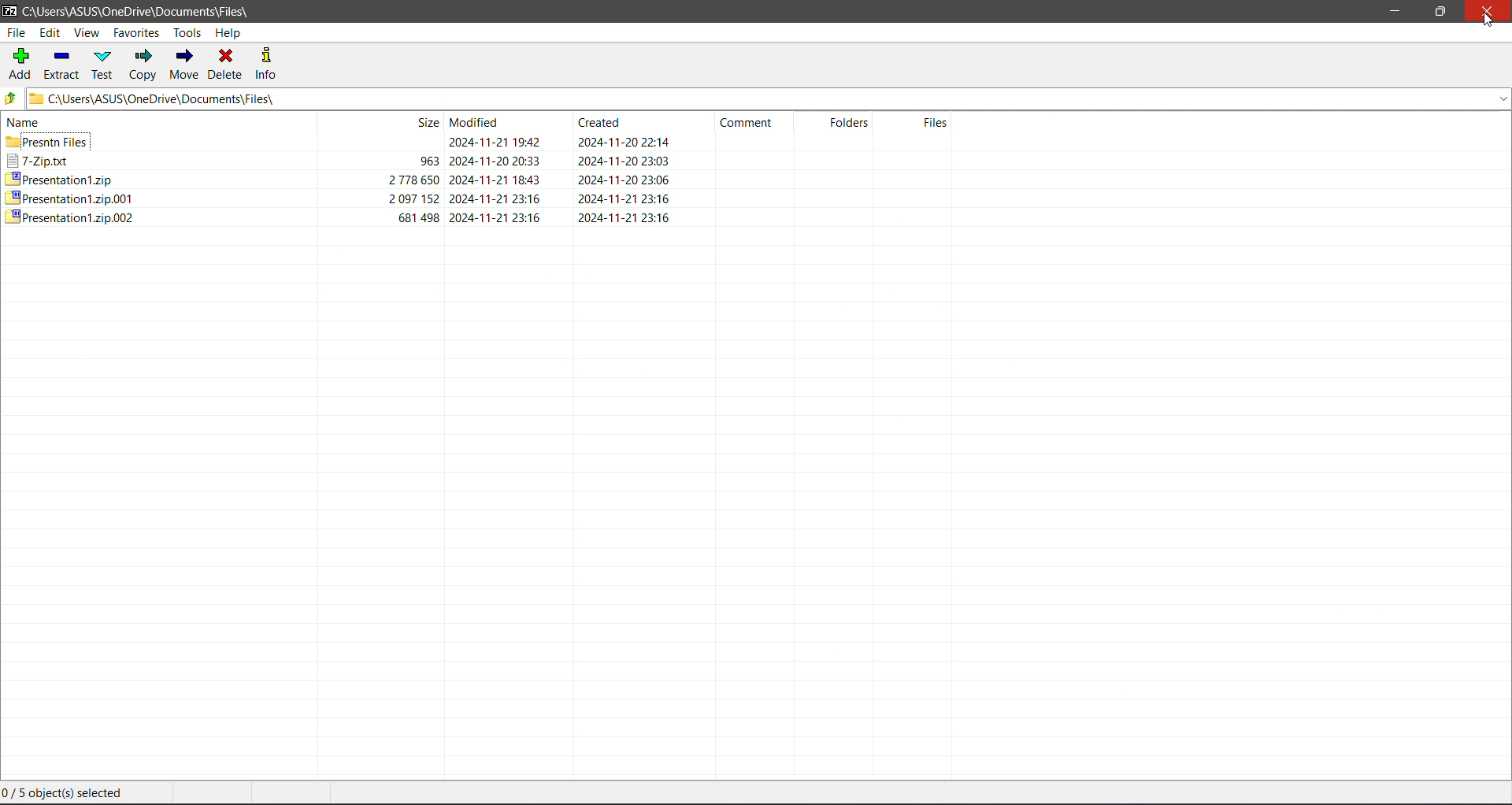  I want to click on Copy, so click(144, 65).